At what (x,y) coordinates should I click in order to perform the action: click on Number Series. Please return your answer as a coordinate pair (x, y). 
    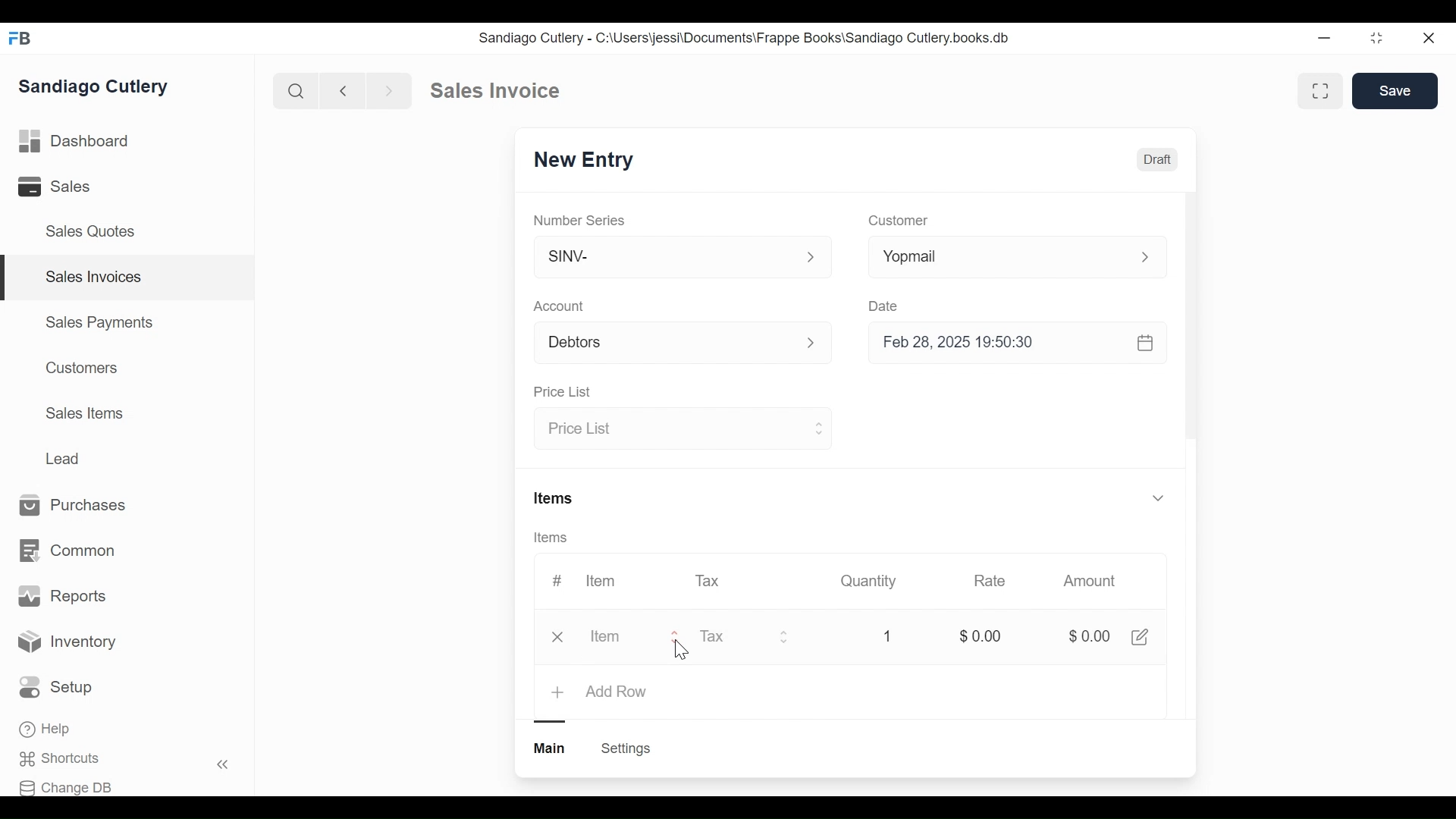
    Looking at the image, I should click on (581, 220).